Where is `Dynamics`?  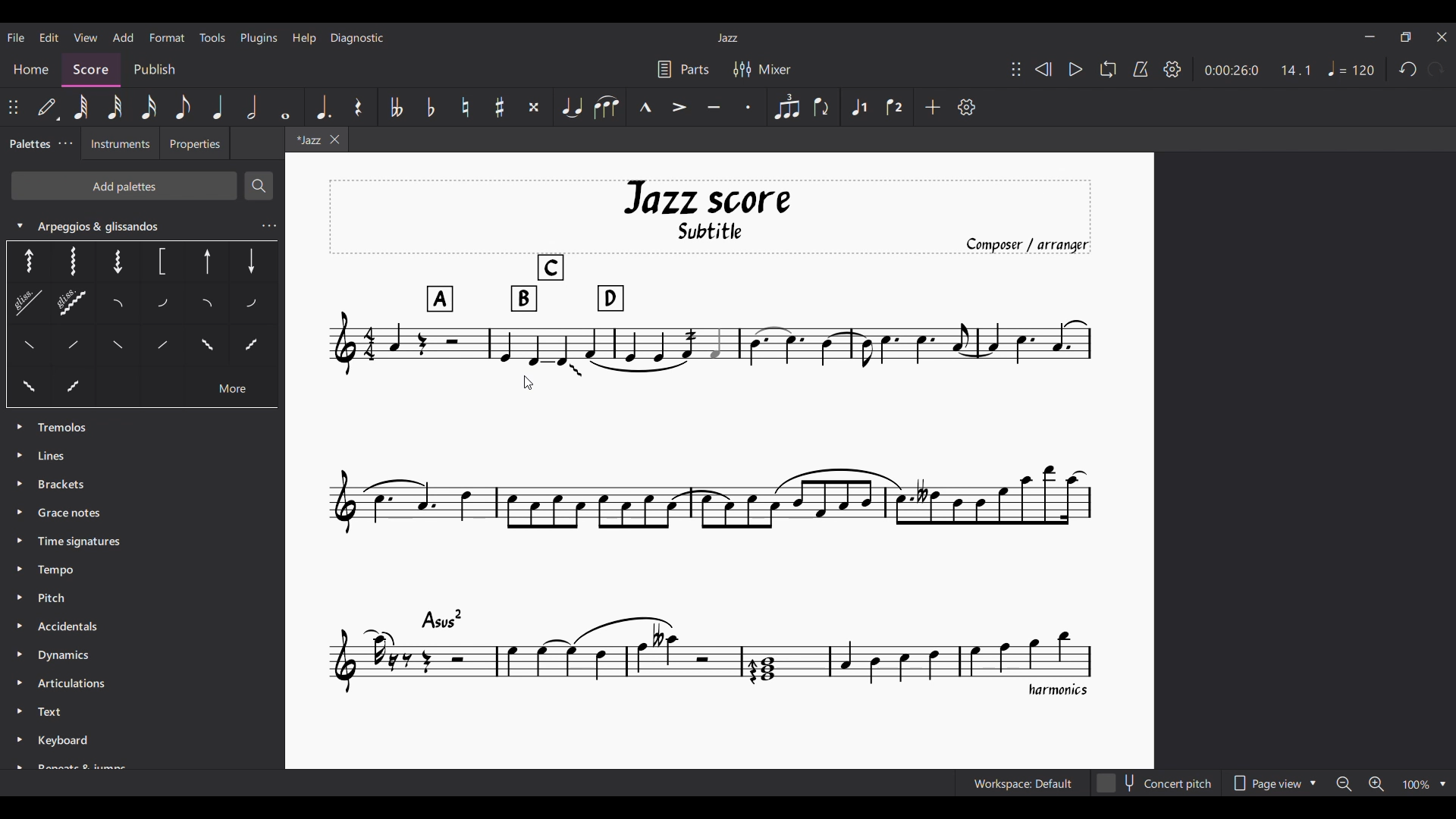 Dynamics is located at coordinates (69, 657).